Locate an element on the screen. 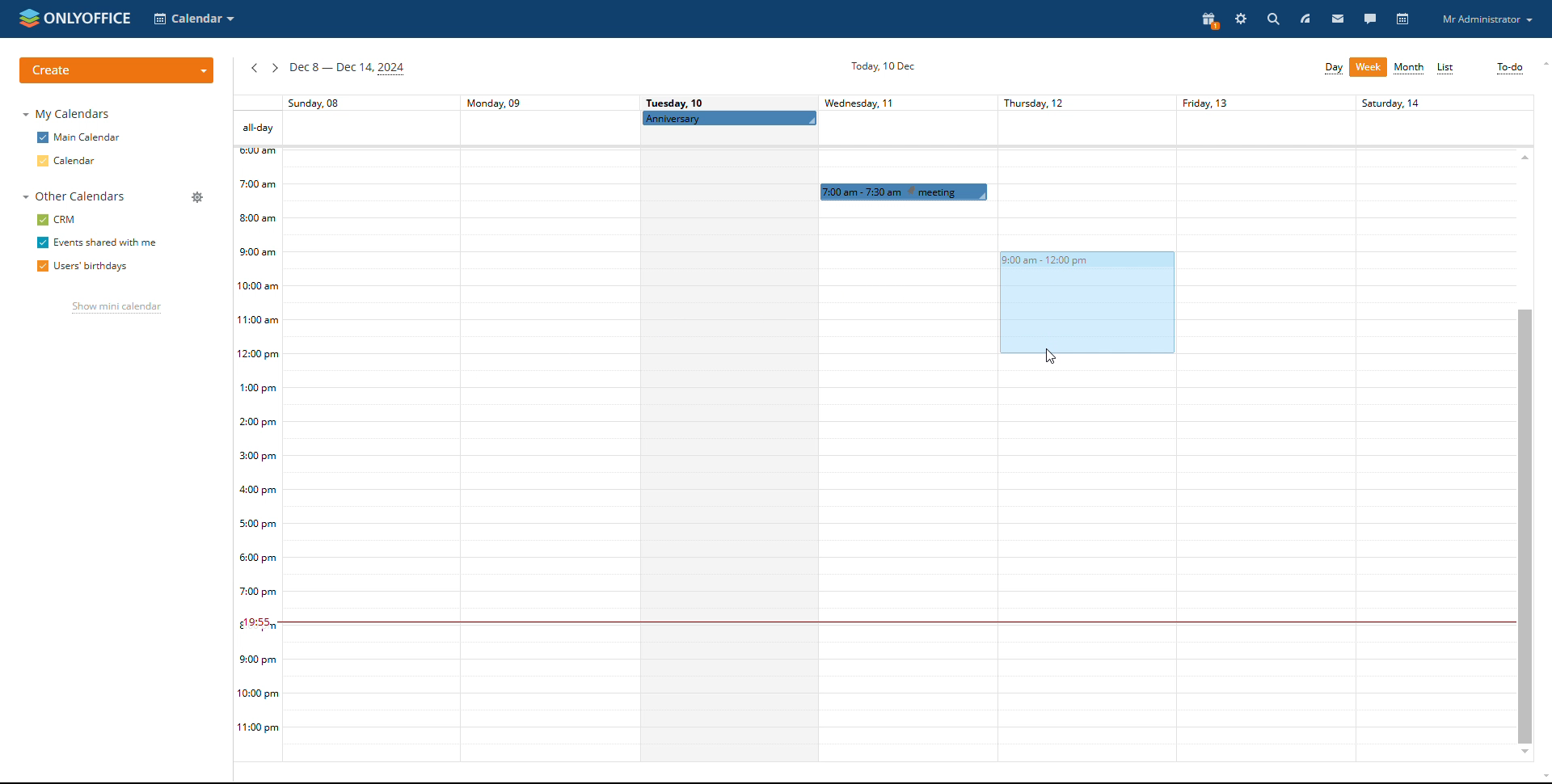 This screenshot has width=1552, height=784. scroll down is located at coordinates (1542, 778).